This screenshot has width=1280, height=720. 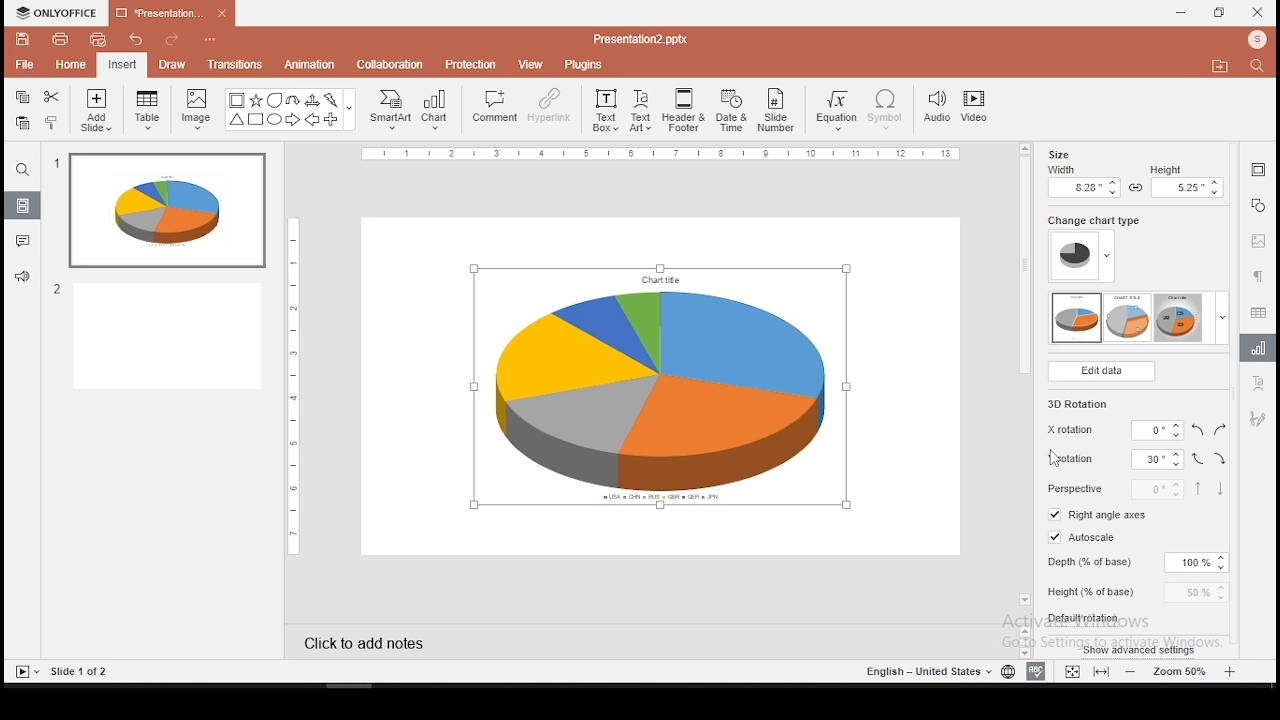 I want to click on depth, so click(x=1135, y=563).